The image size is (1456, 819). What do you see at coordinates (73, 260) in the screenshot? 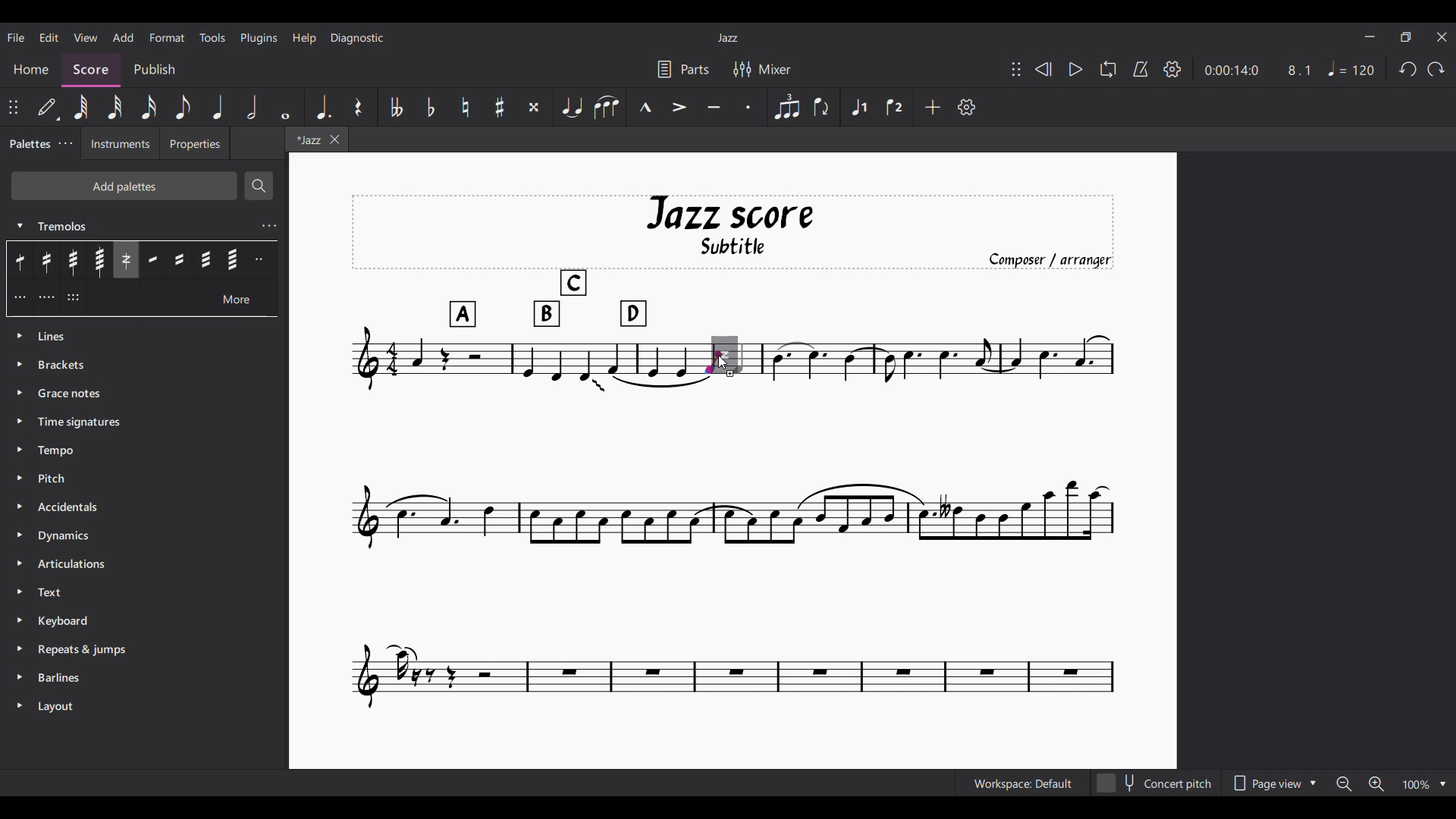
I see `32nd through stem` at bounding box center [73, 260].